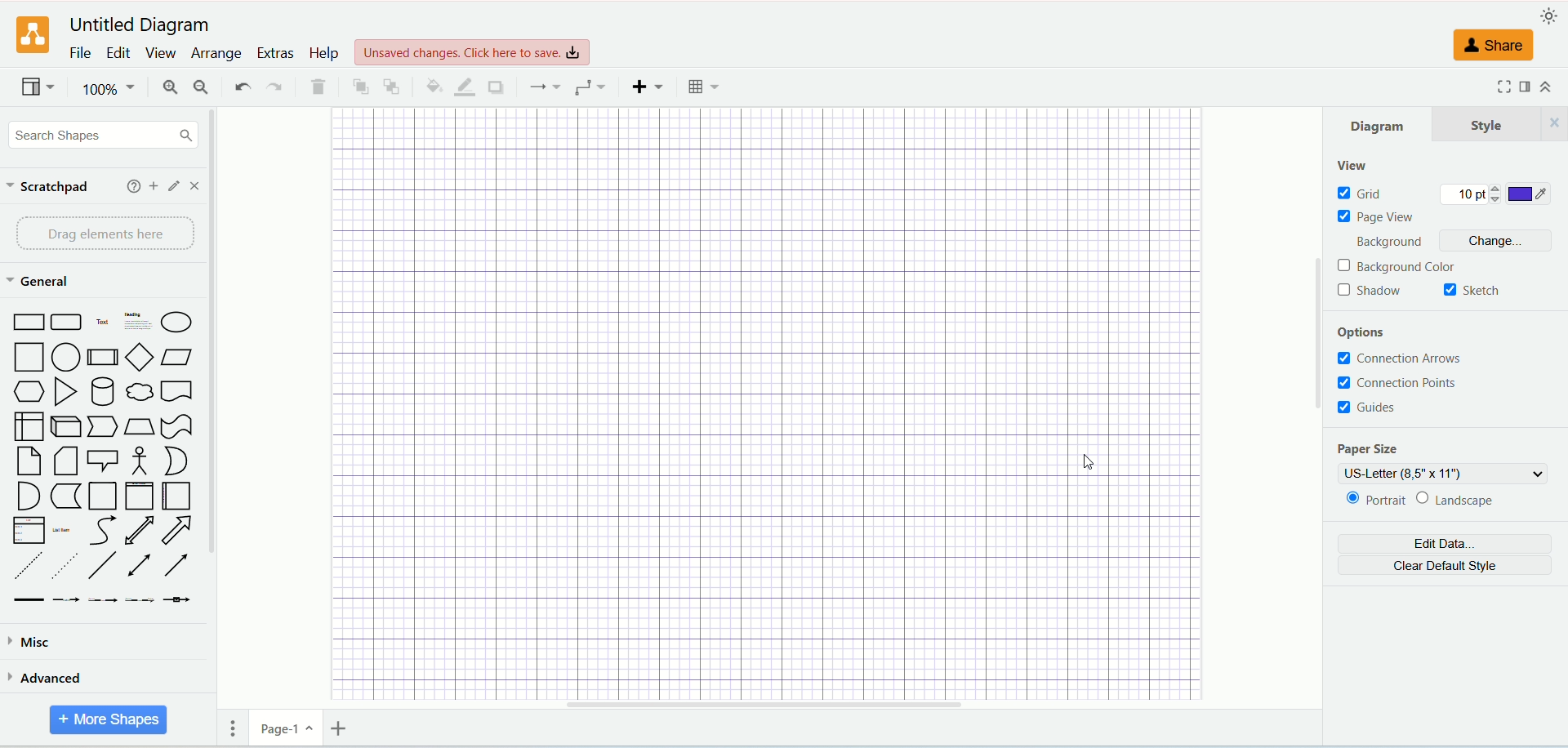  What do you see at coordinates (103, 358) in the screenshot?
I see `Process` at bounding box center [103, 358].